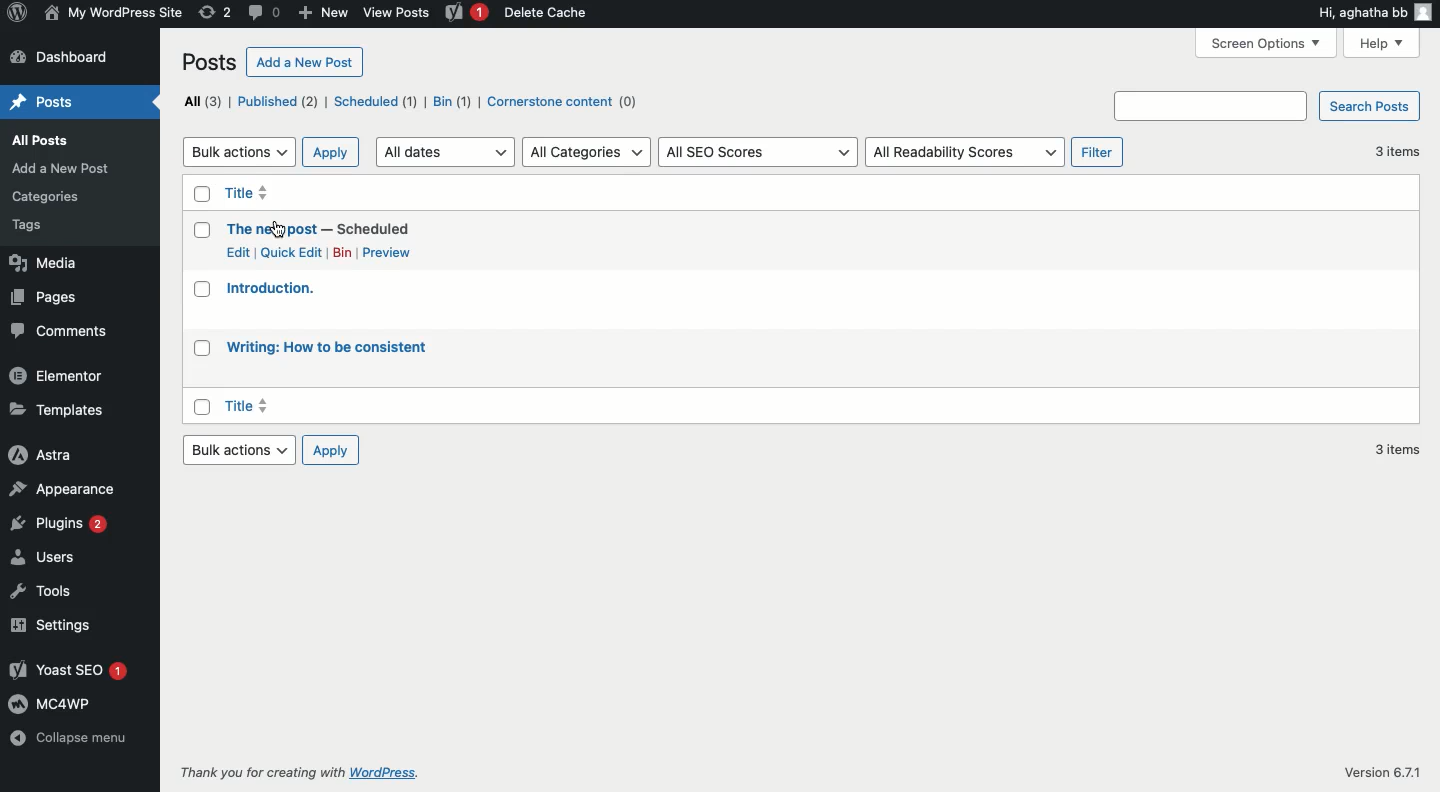  I want to click on Plugins, so click(60, 523).